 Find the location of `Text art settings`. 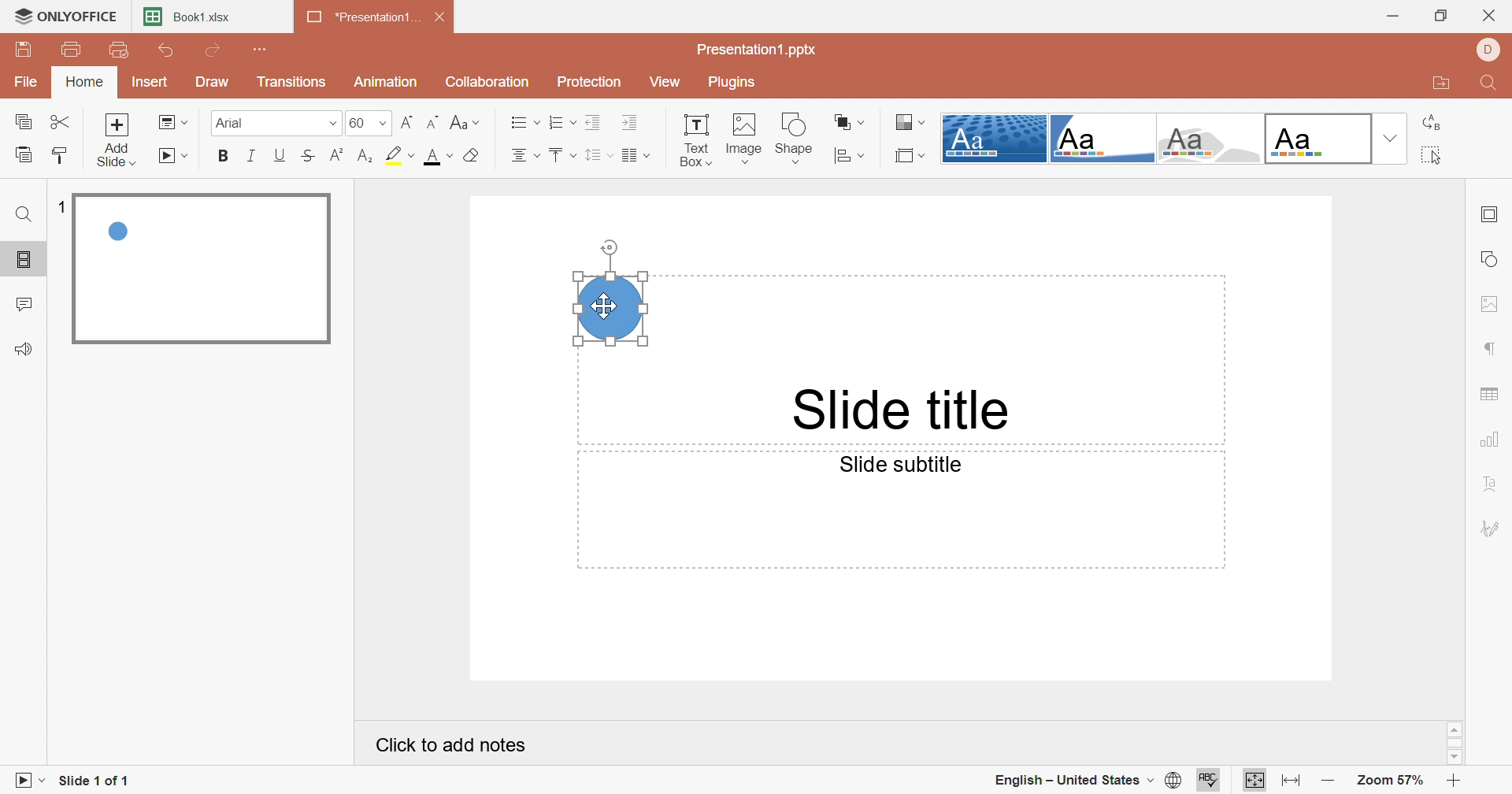

Text art settings is located at coordinates (1497, 487).